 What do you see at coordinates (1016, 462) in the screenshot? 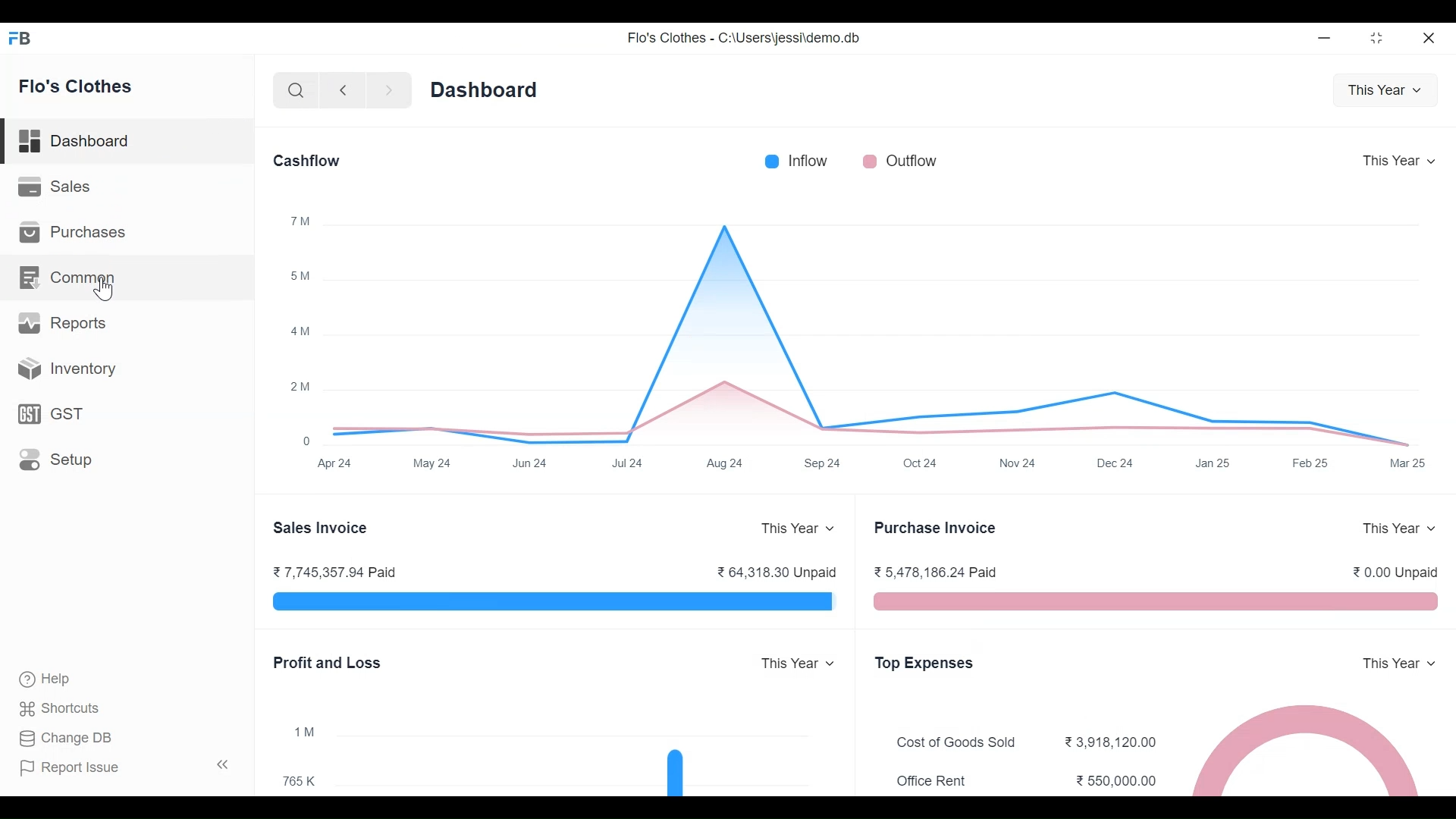
I see `Nov 24` at bounding box center [1016, 462].